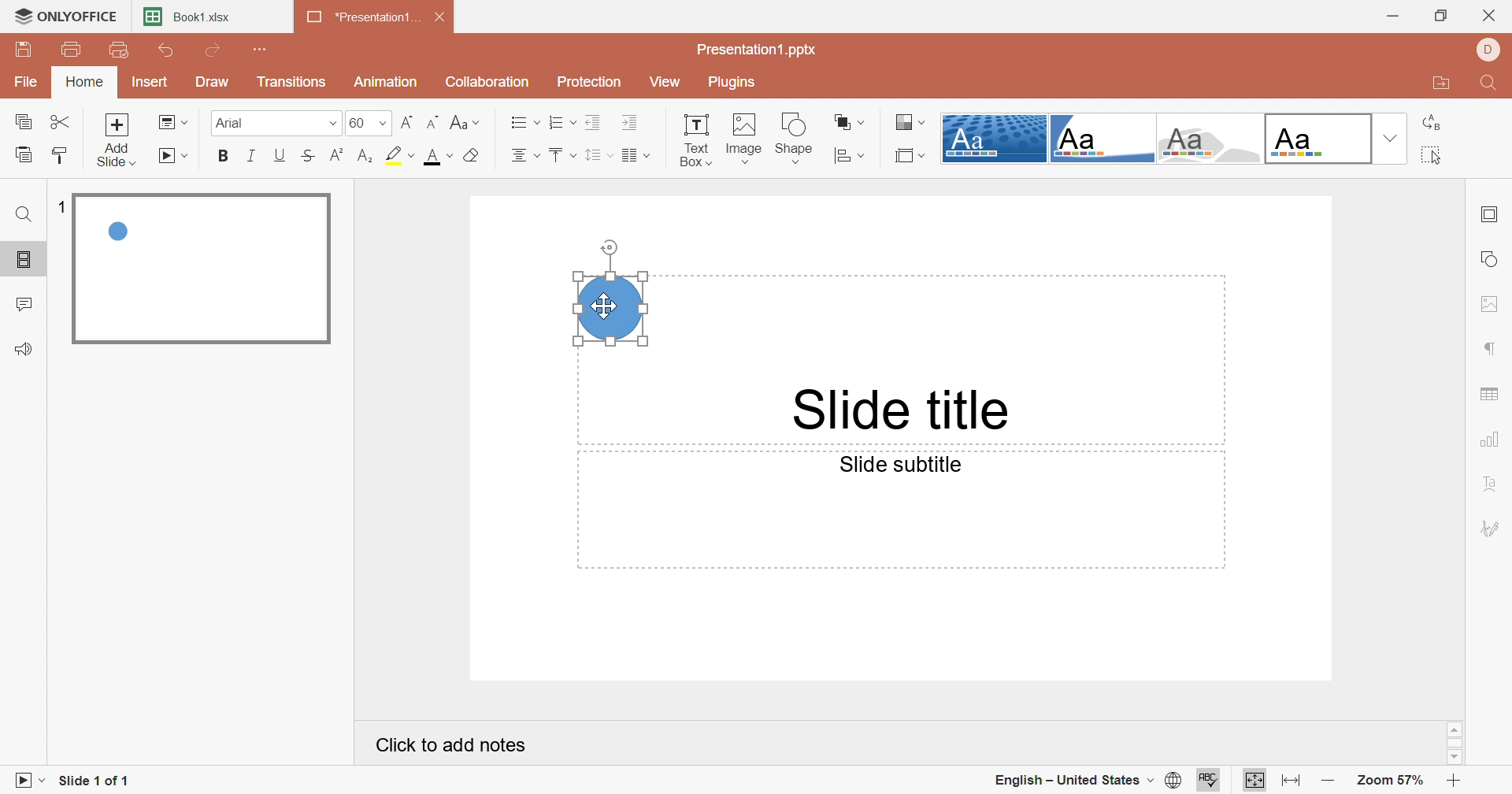 Image resolution: width=1512 pixels, height=794 pixels. Describe the element at coordinates (1101, 142) in the screenshot. I see `Corner` at that location.